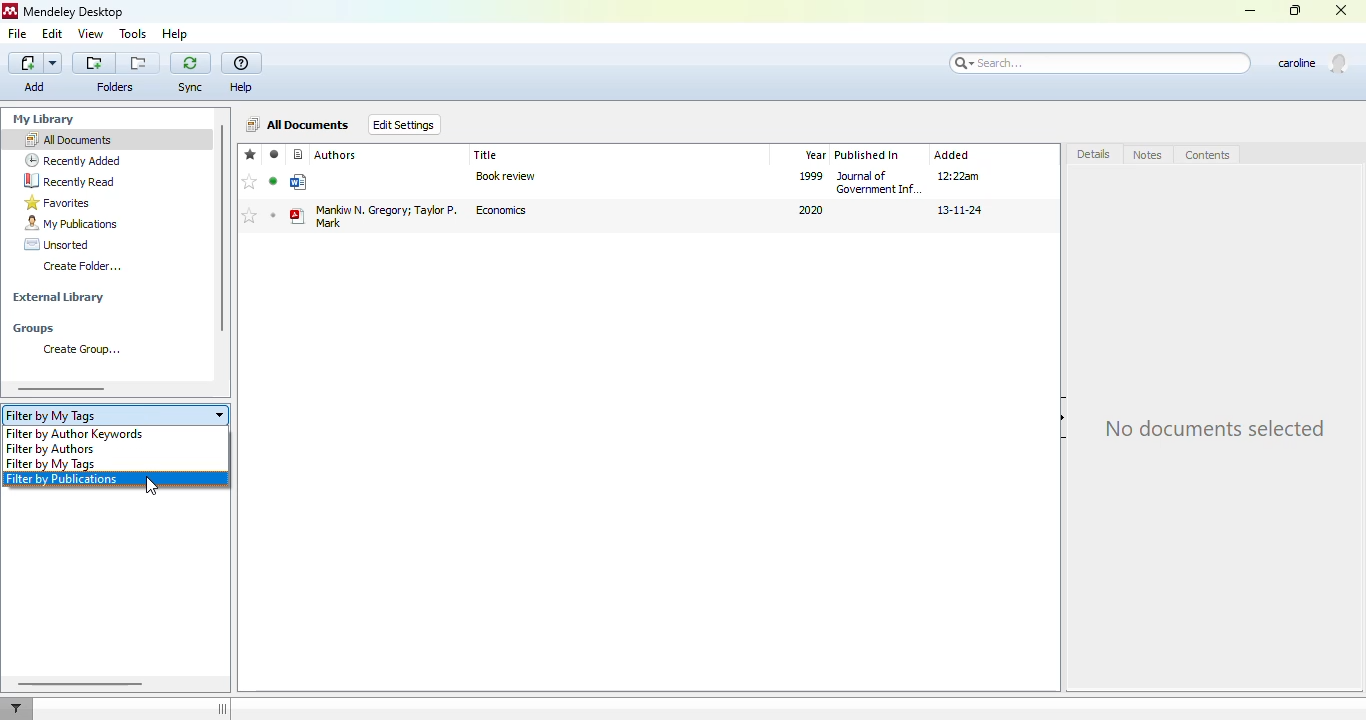 The height and width of the screenshot is (720, 1366). What do you see at coordinates (501, 210) in the screenshot?
I see `economics` at bounding box center [501, 210].